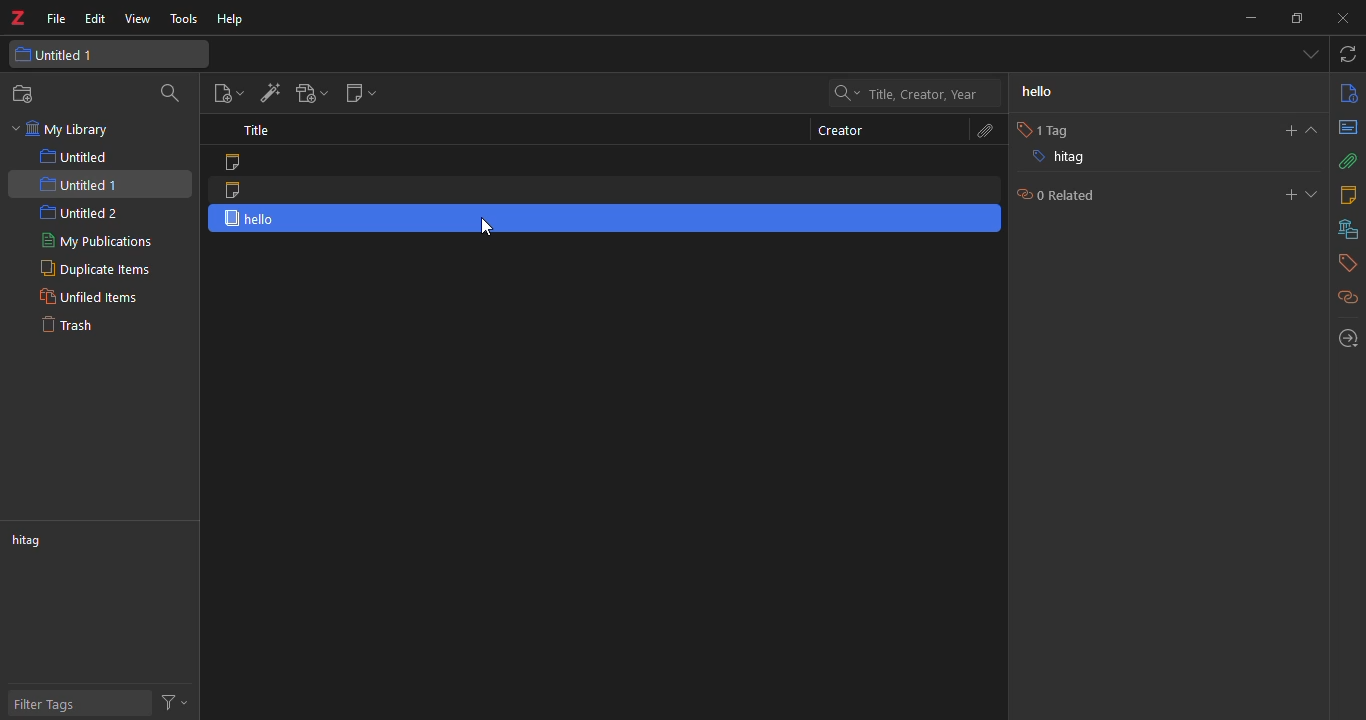 Image resolution: width=1366 pixels, height=720 pixels. What do you see at coordinates (135, 20) in the screenshot?
I see `view` at bounding box center [135, 20].